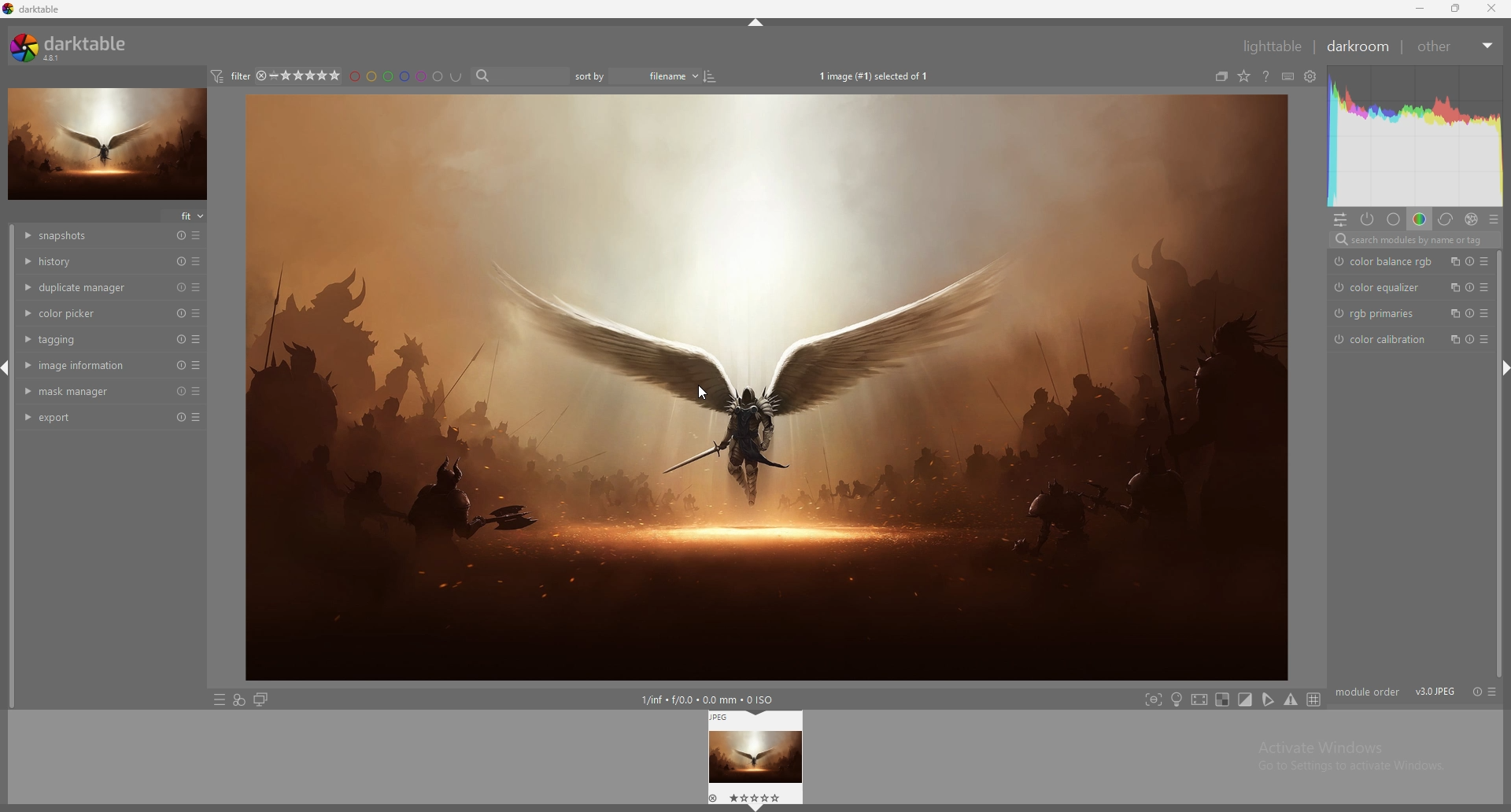 Image resolution: width=1511 pixels, height=812 pixels. I want to click on v3.0 JPEG, so click(1435, 690).